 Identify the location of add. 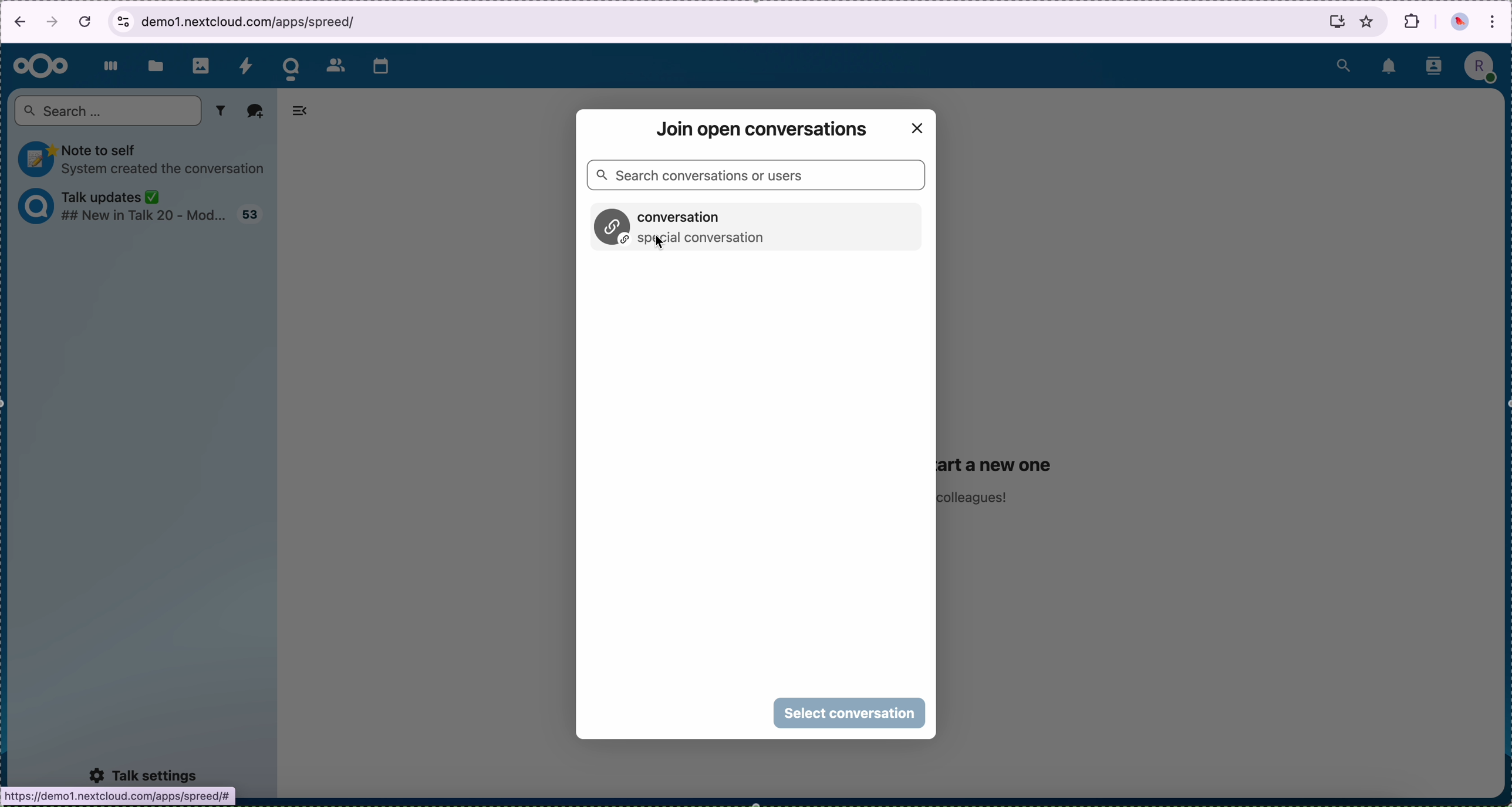
(254, 111).